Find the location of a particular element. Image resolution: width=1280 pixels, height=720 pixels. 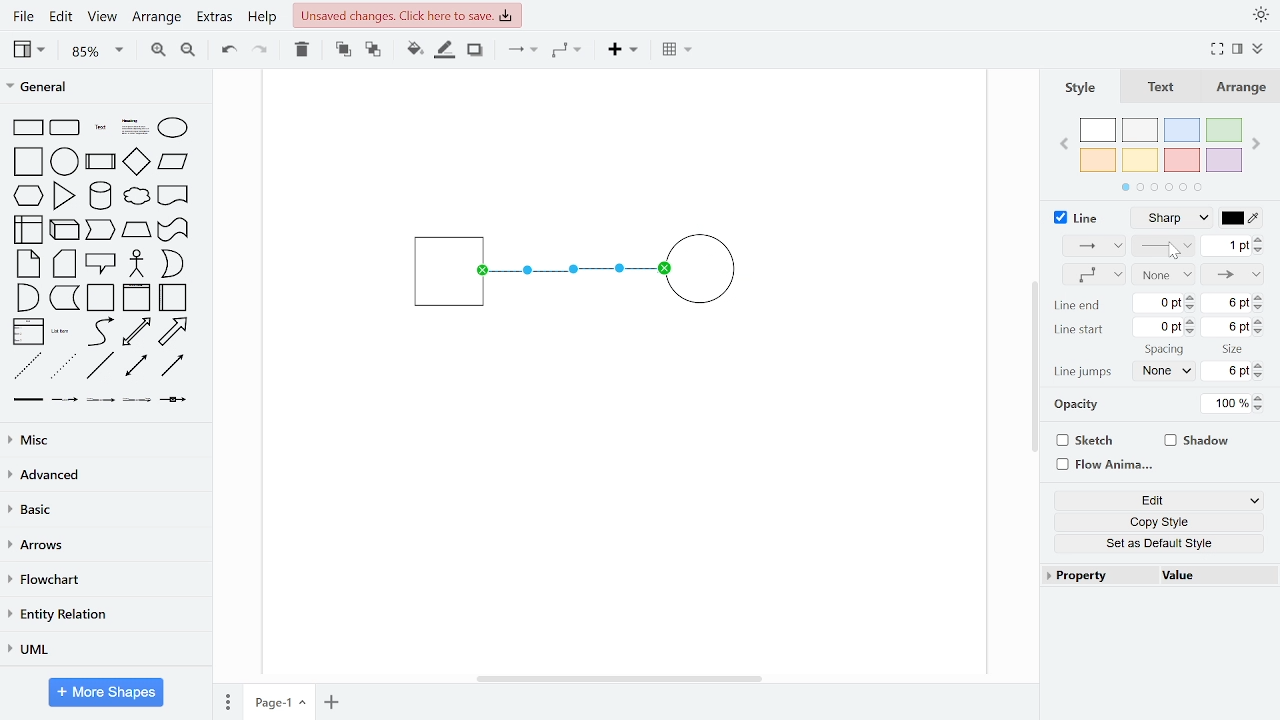

directional connector is located at coordinates (172, 365).